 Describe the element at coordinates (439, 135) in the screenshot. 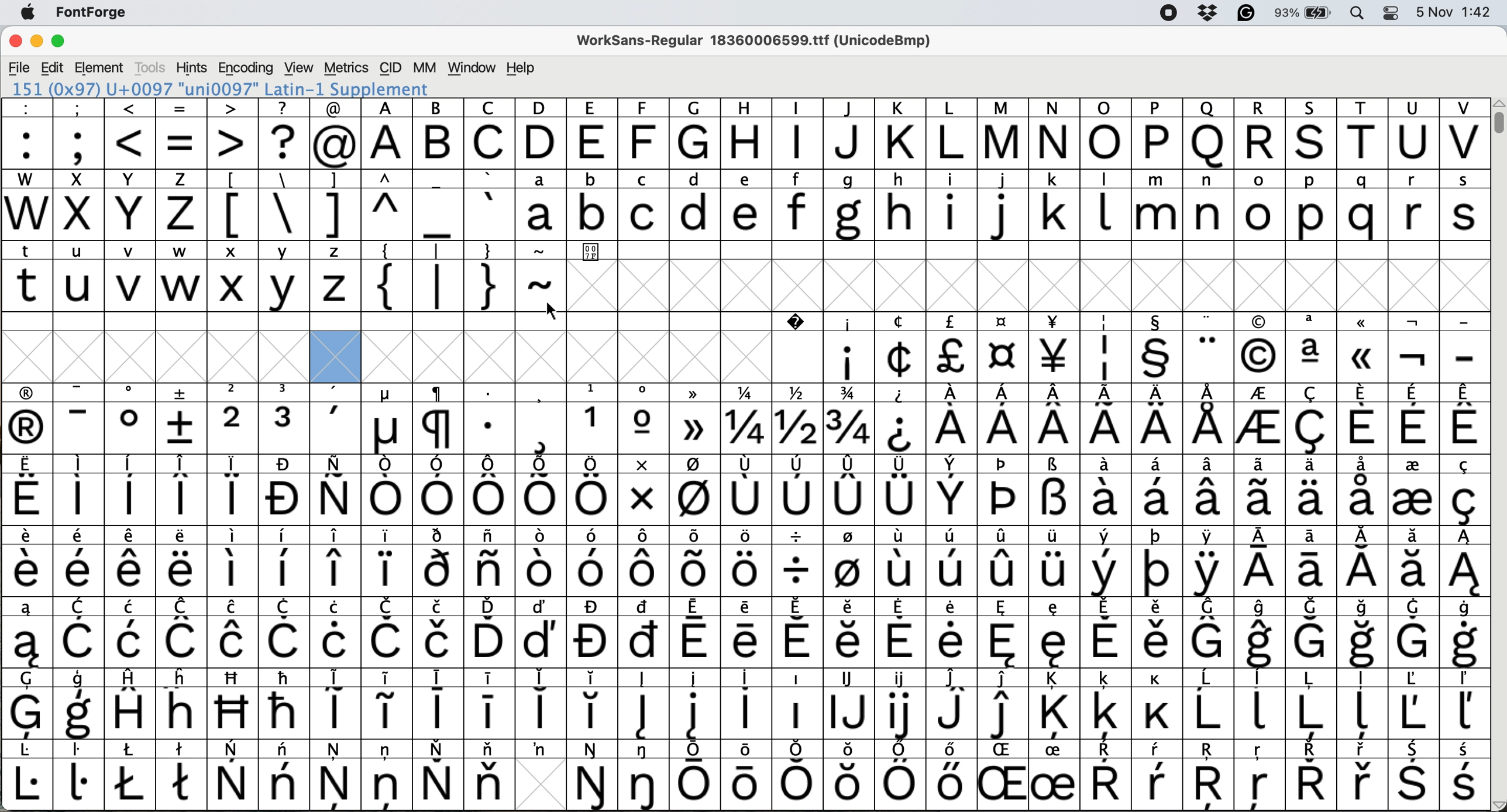

I see `B` at that location.